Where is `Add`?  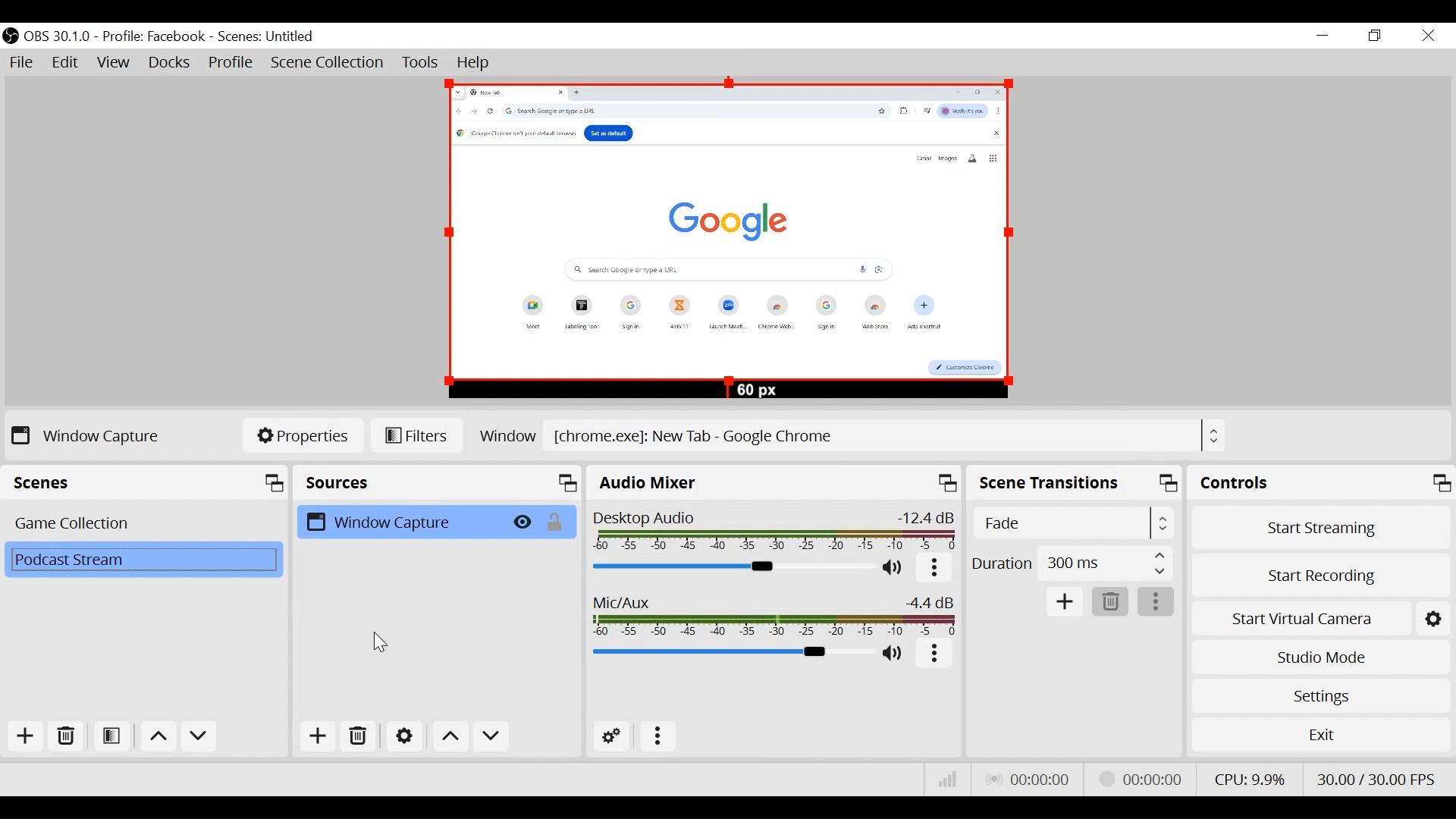
Add is located at coordinates (1066, 601).